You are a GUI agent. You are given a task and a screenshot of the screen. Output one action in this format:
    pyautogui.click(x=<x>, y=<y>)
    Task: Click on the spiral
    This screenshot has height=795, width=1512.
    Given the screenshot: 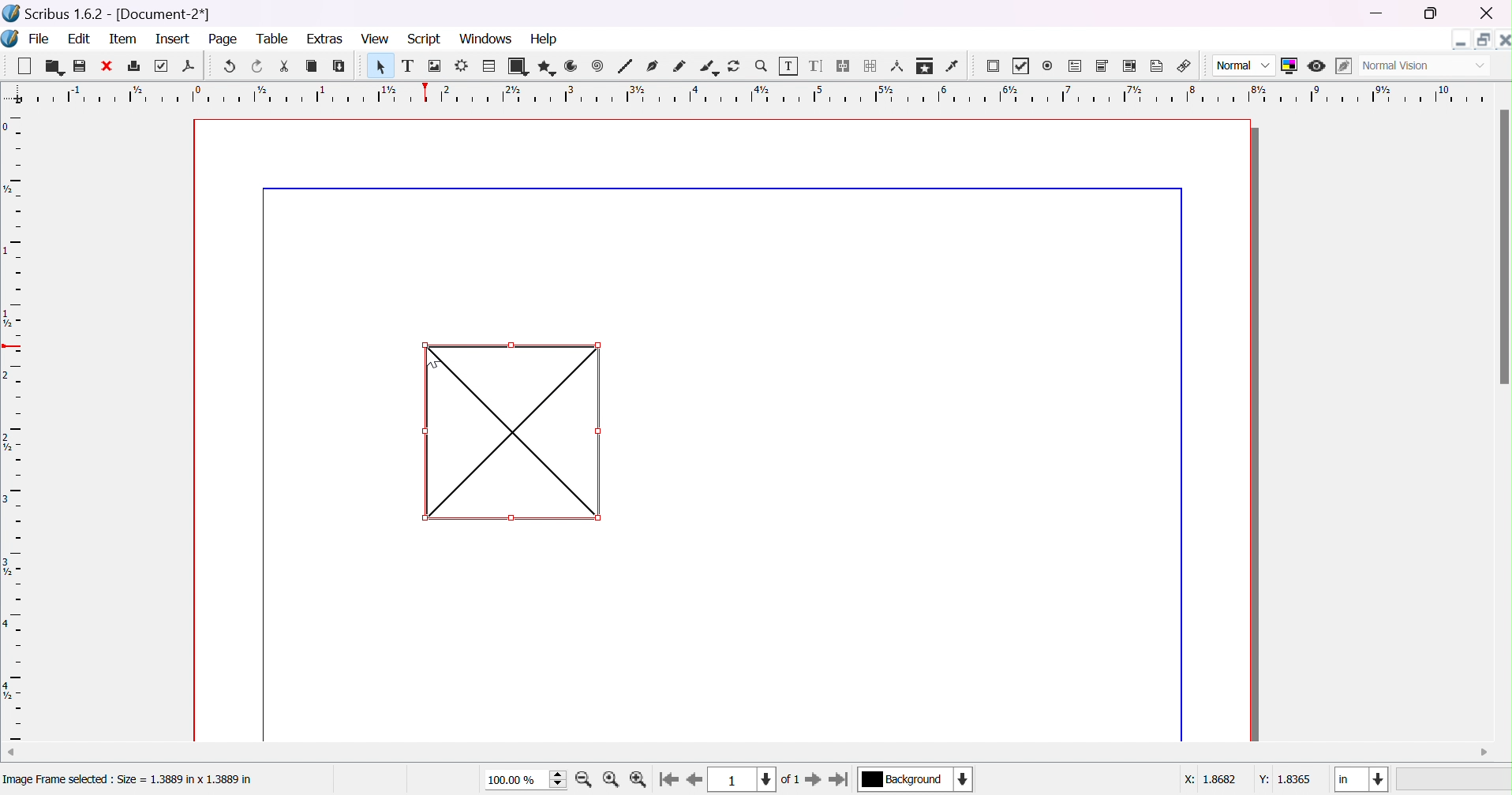 What is the action you would take?
    pyautogui.click(x=597, y=65)
    